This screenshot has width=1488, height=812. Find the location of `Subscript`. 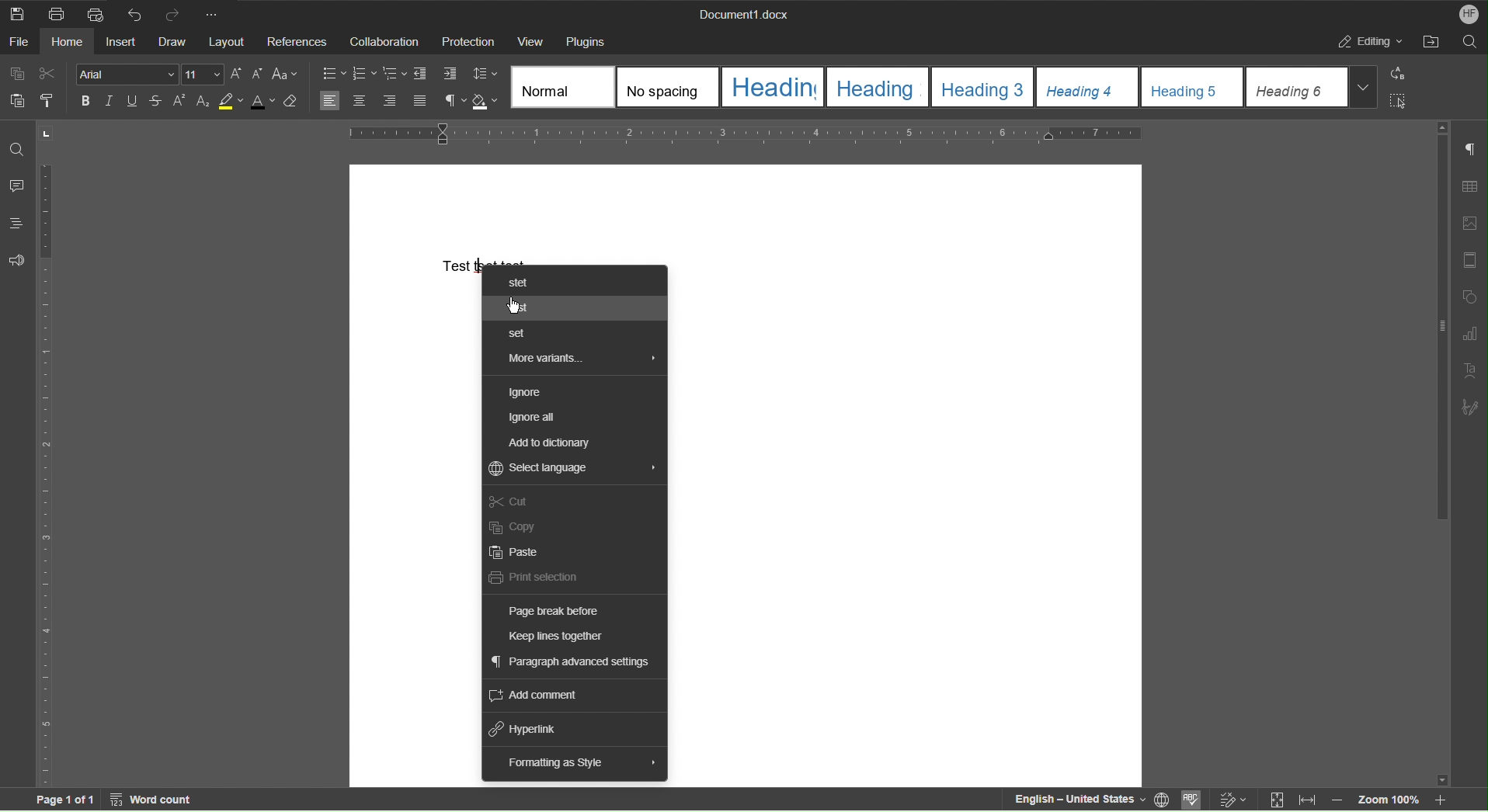

Subscript is located at coordinates (203, 102).